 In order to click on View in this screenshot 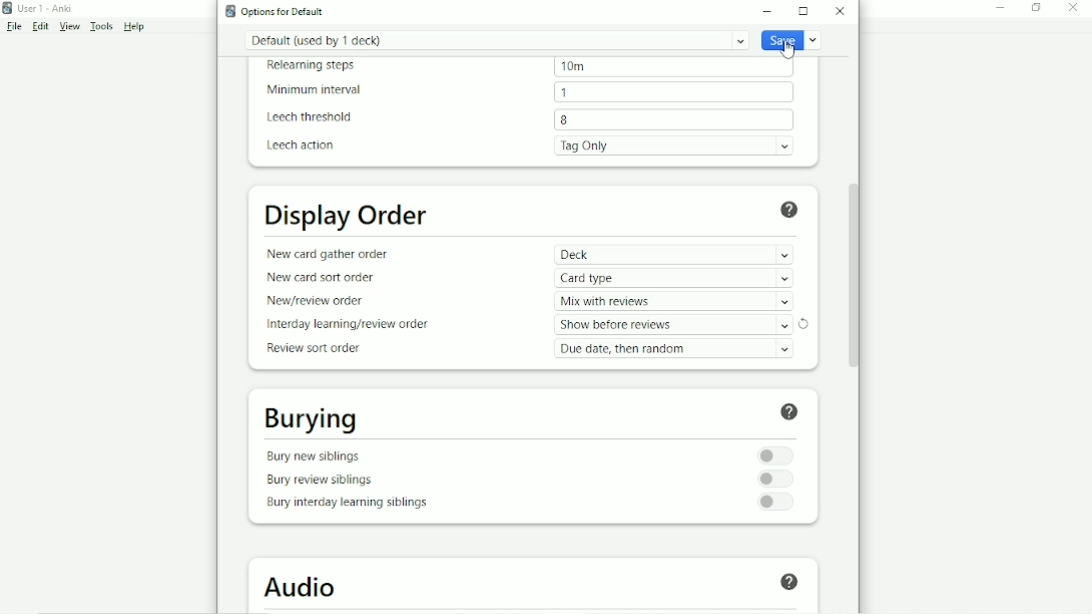, I will do `click(69, 27)`.